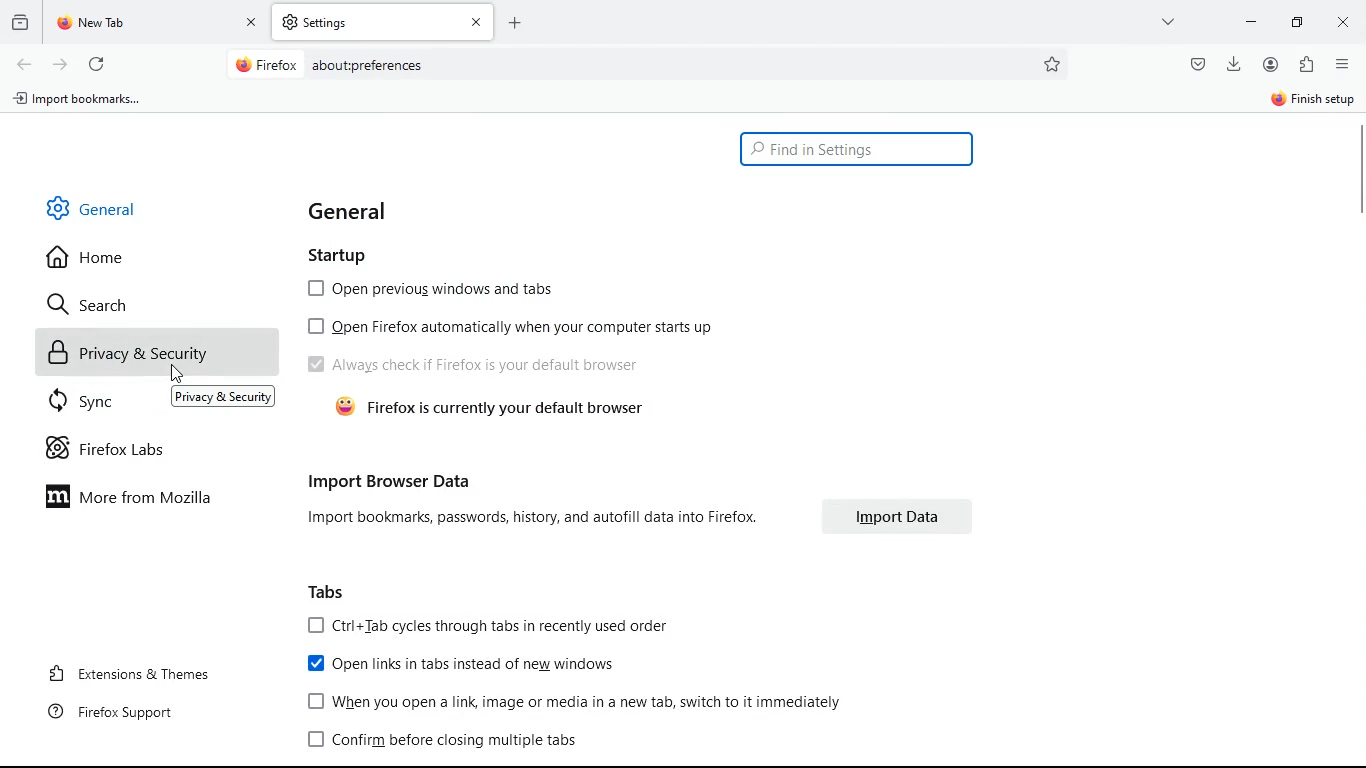 This screenshot has width=1366, height=768. I want to click on general, so click(93, 201).